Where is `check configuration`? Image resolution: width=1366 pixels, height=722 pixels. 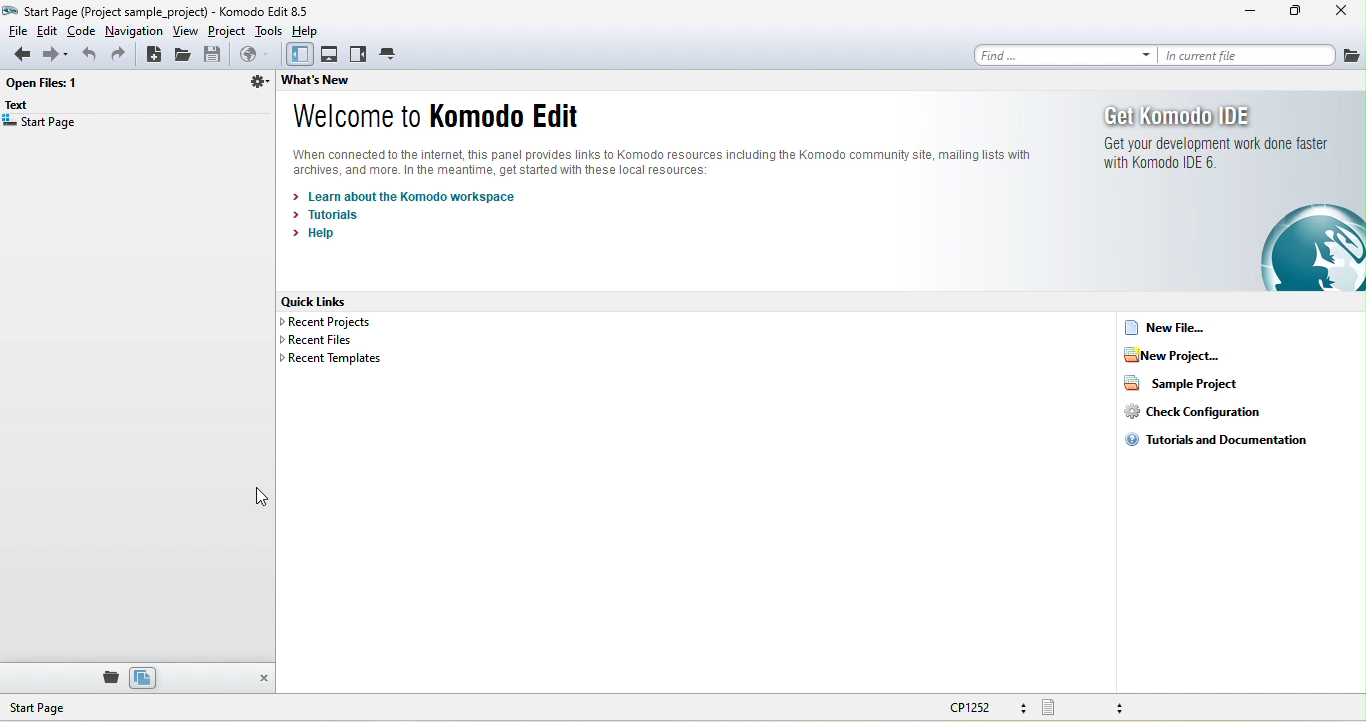 check configuration is located at coordinates (1192, 411).